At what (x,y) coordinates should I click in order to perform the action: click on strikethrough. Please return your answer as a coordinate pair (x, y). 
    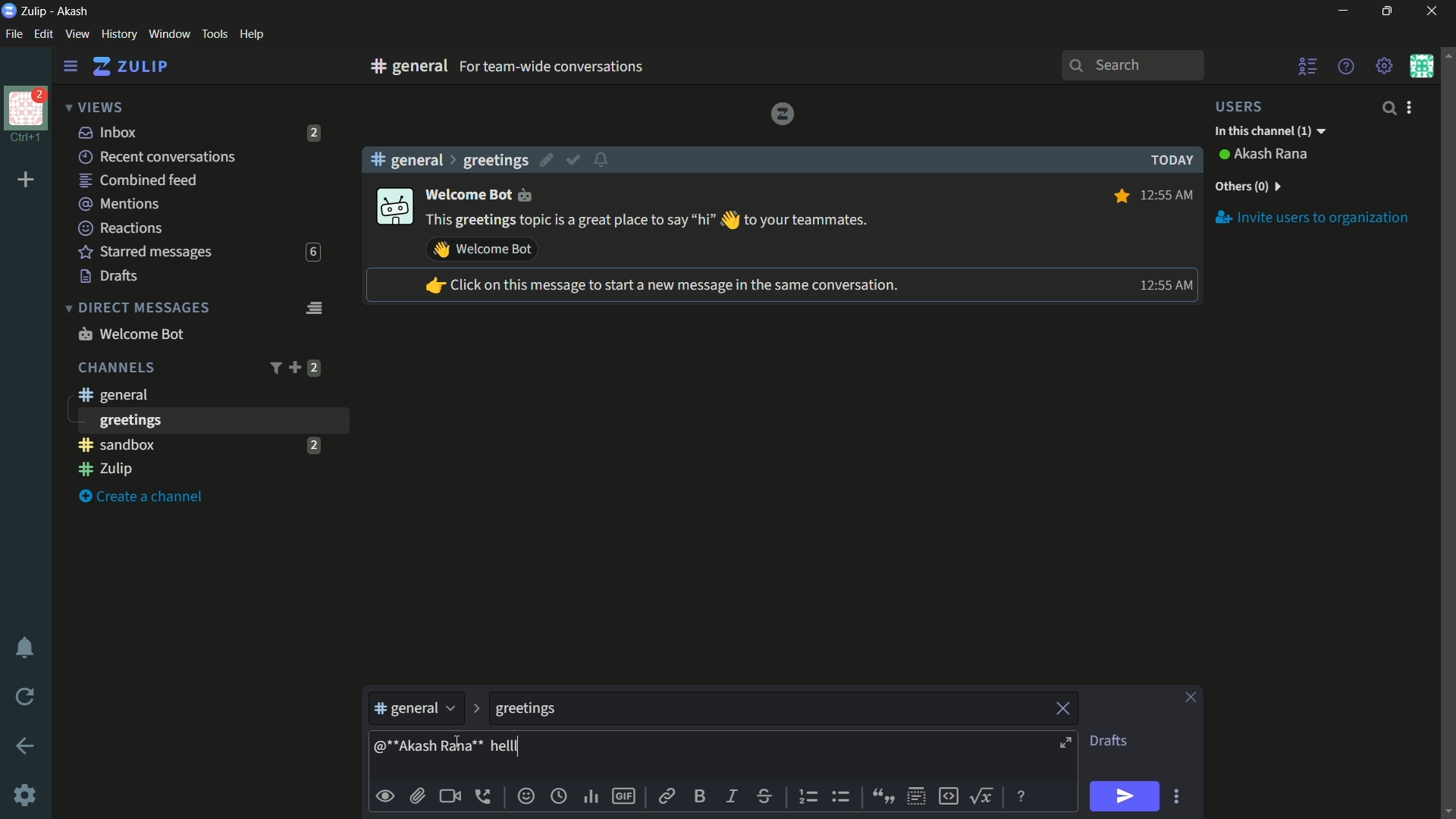
    Looking at the image, I should click on (765, 798).